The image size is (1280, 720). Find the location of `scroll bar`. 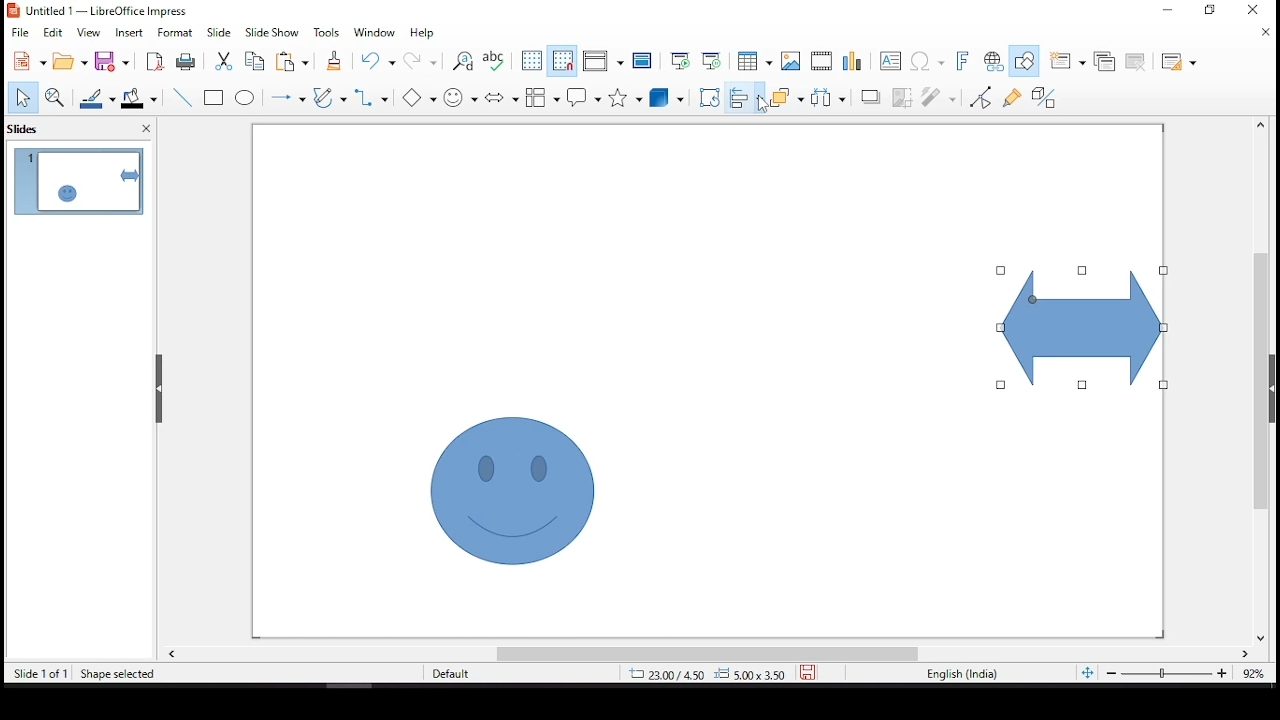

scroll bar is located at coordinates (707, 654).